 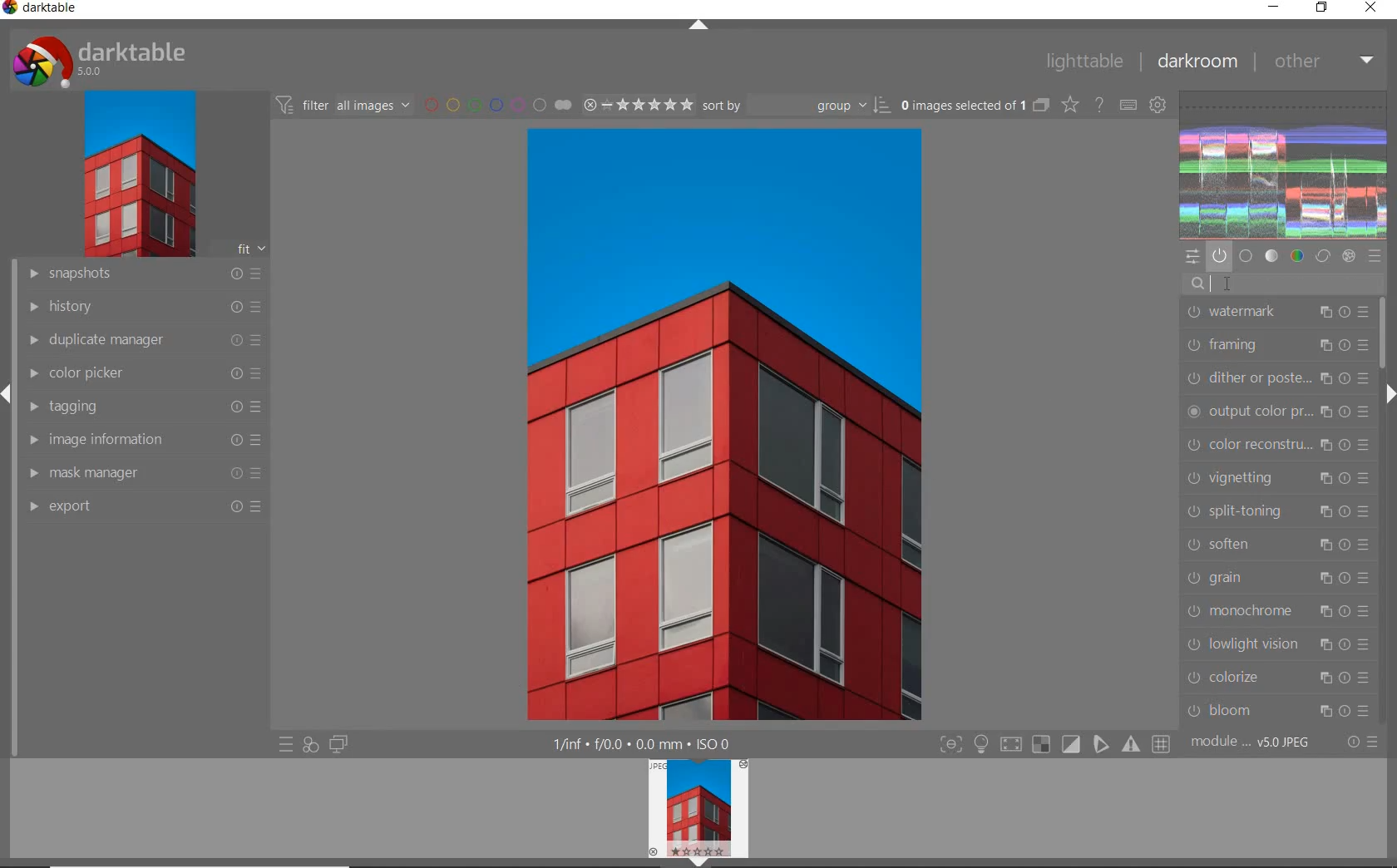 What do you see at coordinates (495, 104) in the screenshot?
I see `filter by image color label` at bounding box center [495, 104].